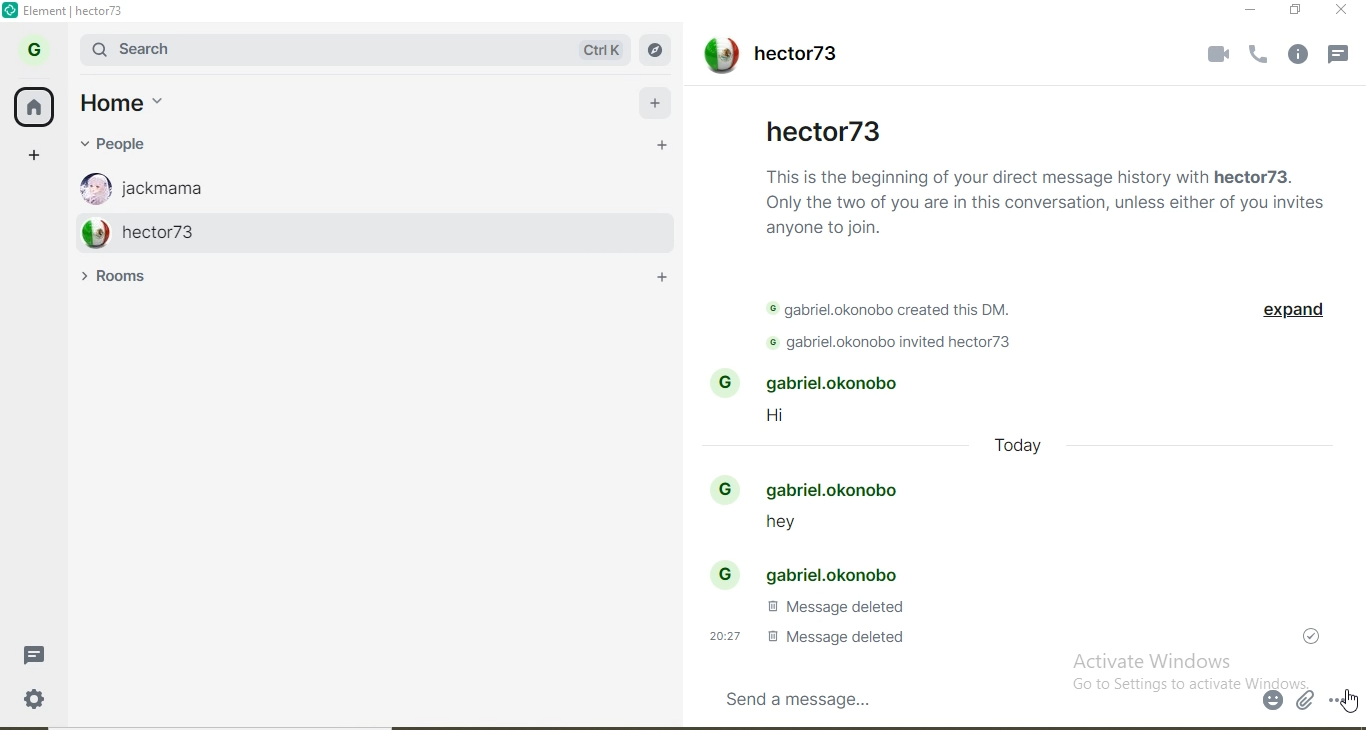 This screenshot has width=1366, height=730. I want to click on hector73, so click(768, 57).